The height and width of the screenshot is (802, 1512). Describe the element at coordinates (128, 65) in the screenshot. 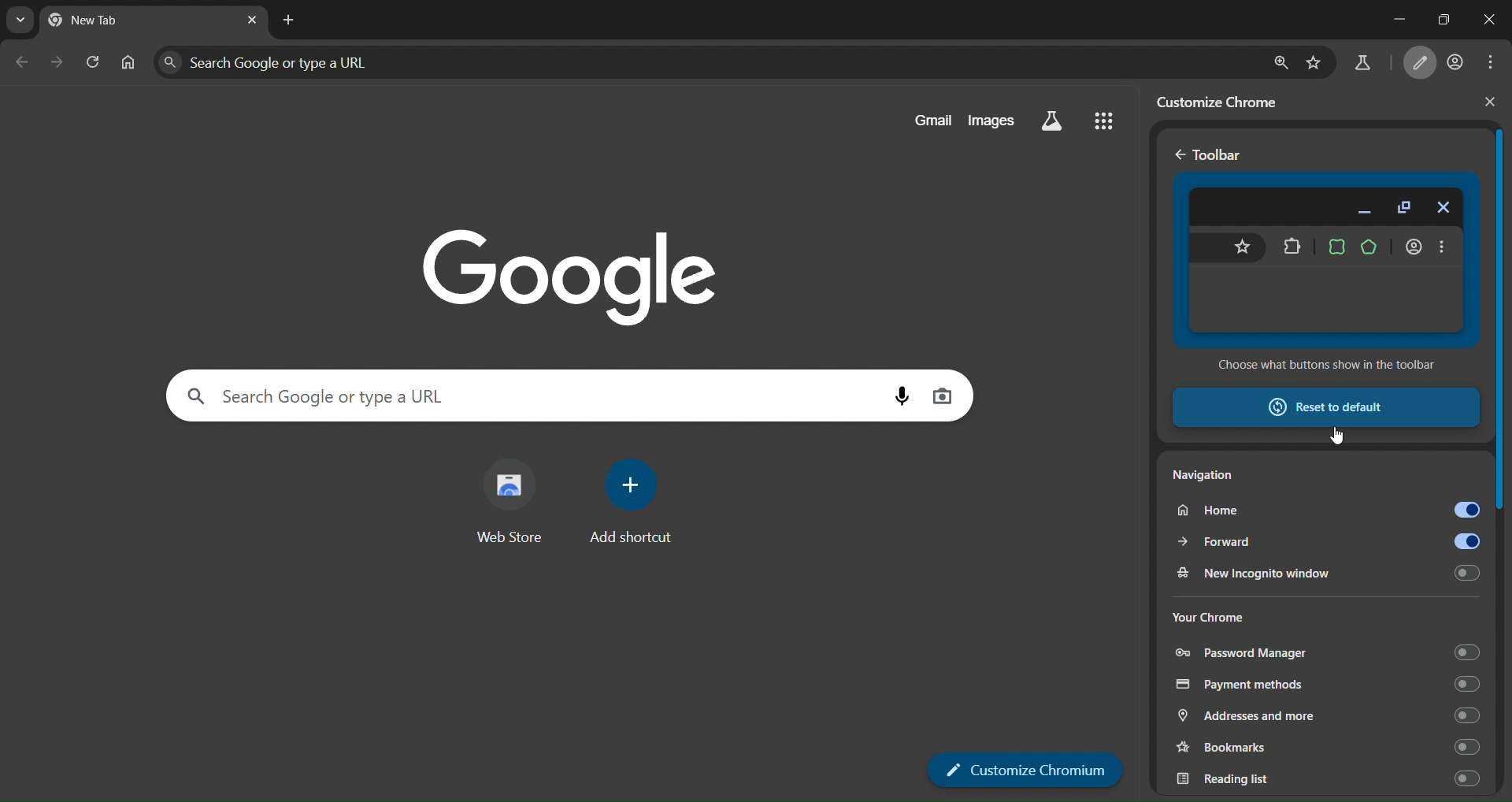

I see `home` at that location.